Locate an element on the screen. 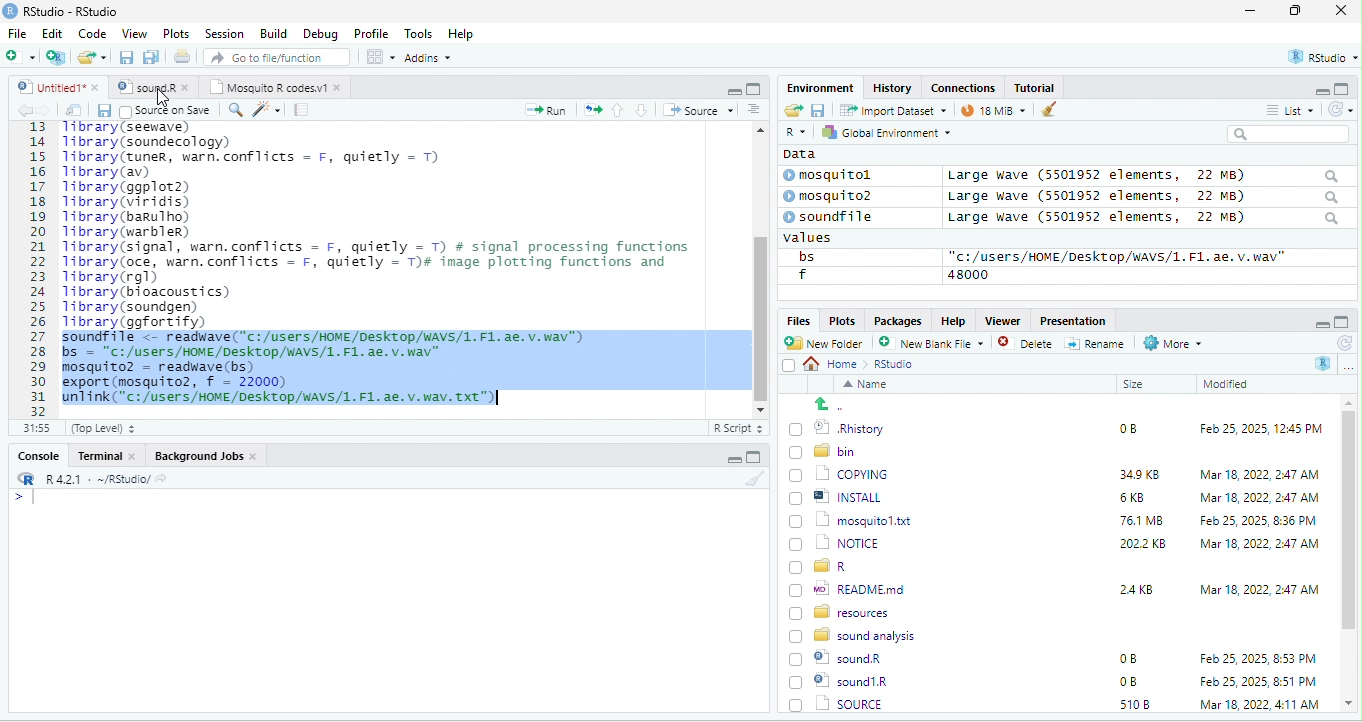  new is located at coordinates (20, 55).